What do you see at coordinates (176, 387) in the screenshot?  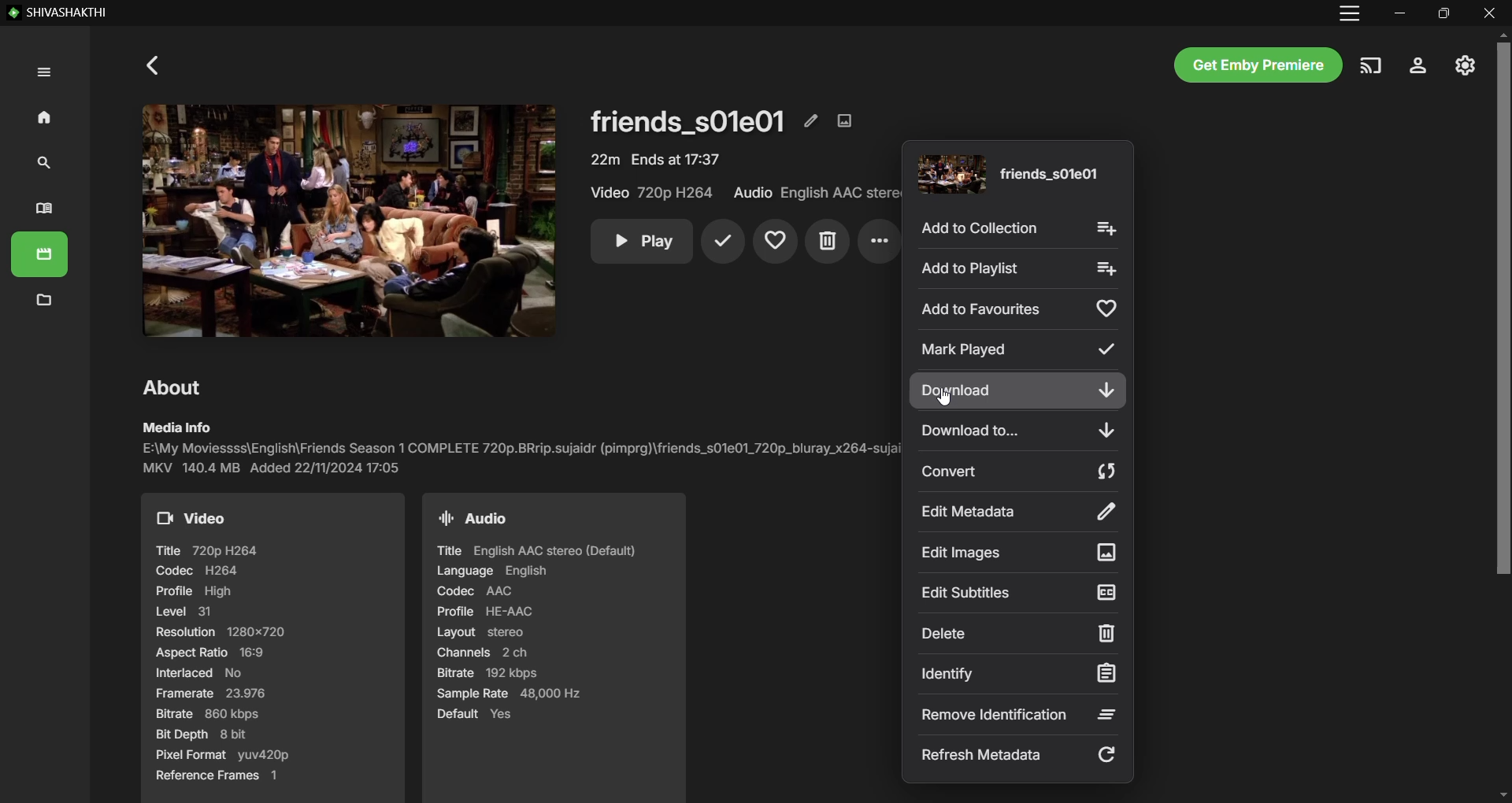 I see `About` at bounding box center [176, 387].